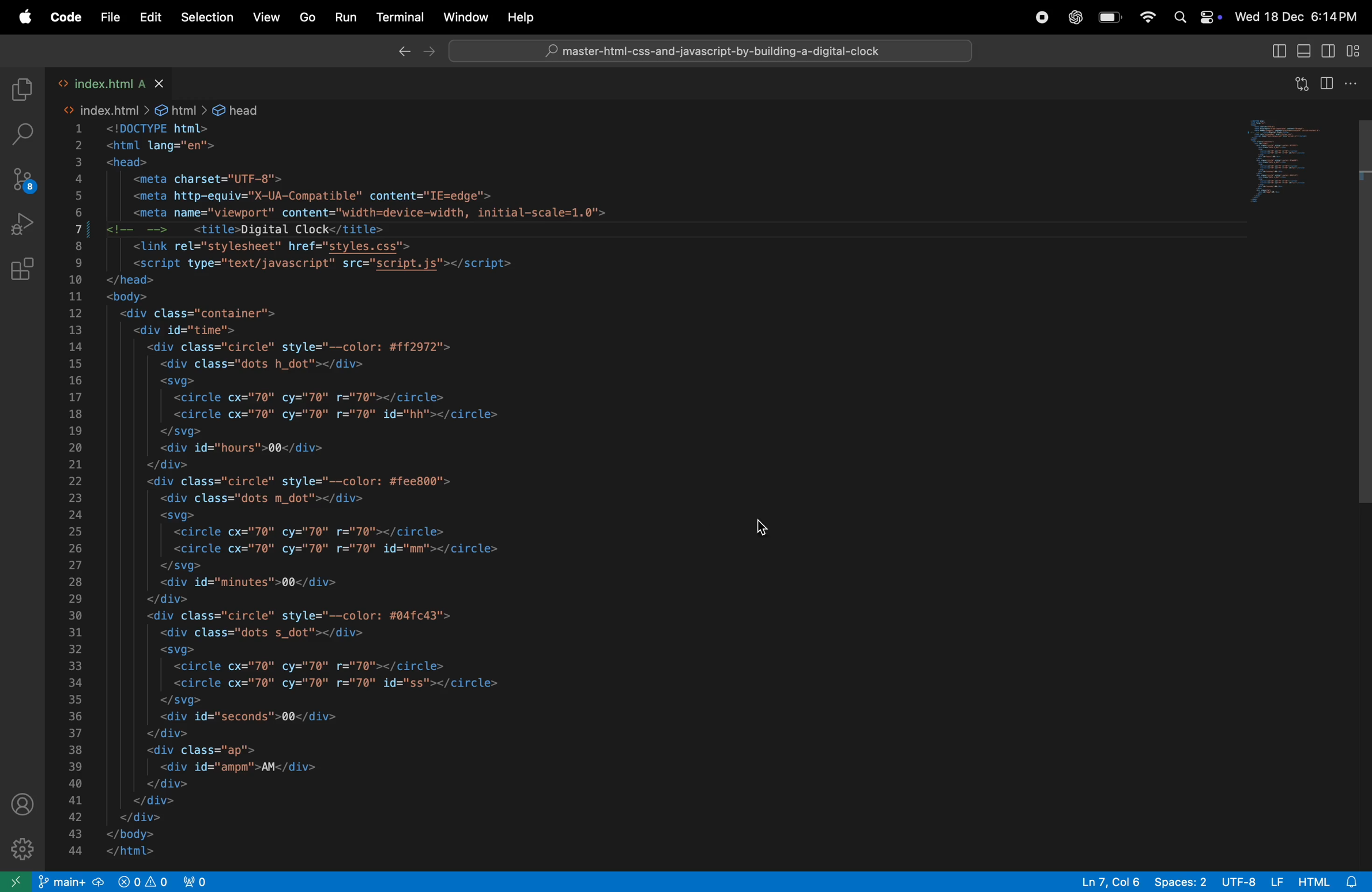 The height and width of the screenshot is (892, 1372). Describe the element at coordinates (263, 18) in the screenshot. I see `view` at that location.